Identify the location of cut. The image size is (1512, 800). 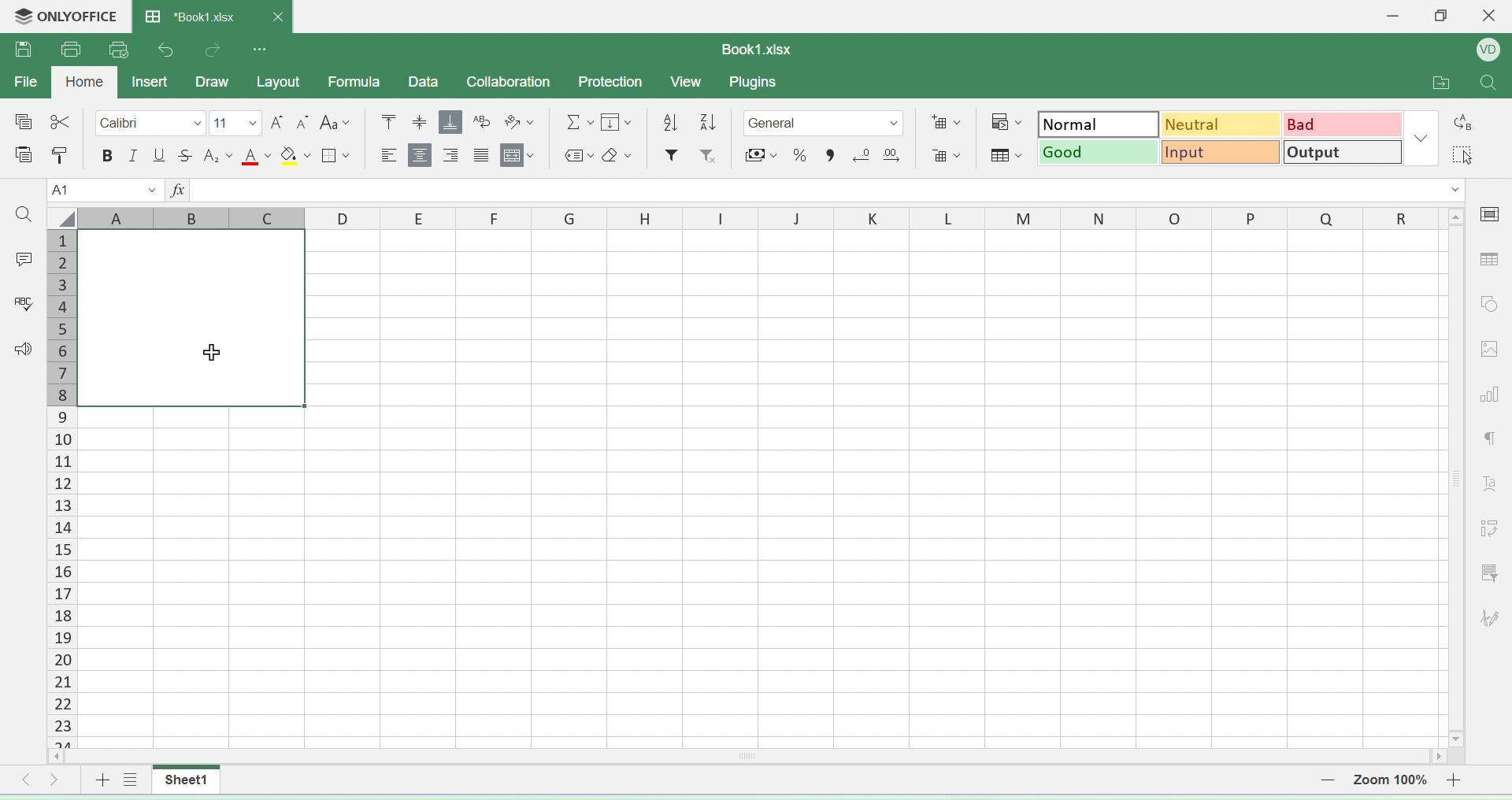
(59, 120).